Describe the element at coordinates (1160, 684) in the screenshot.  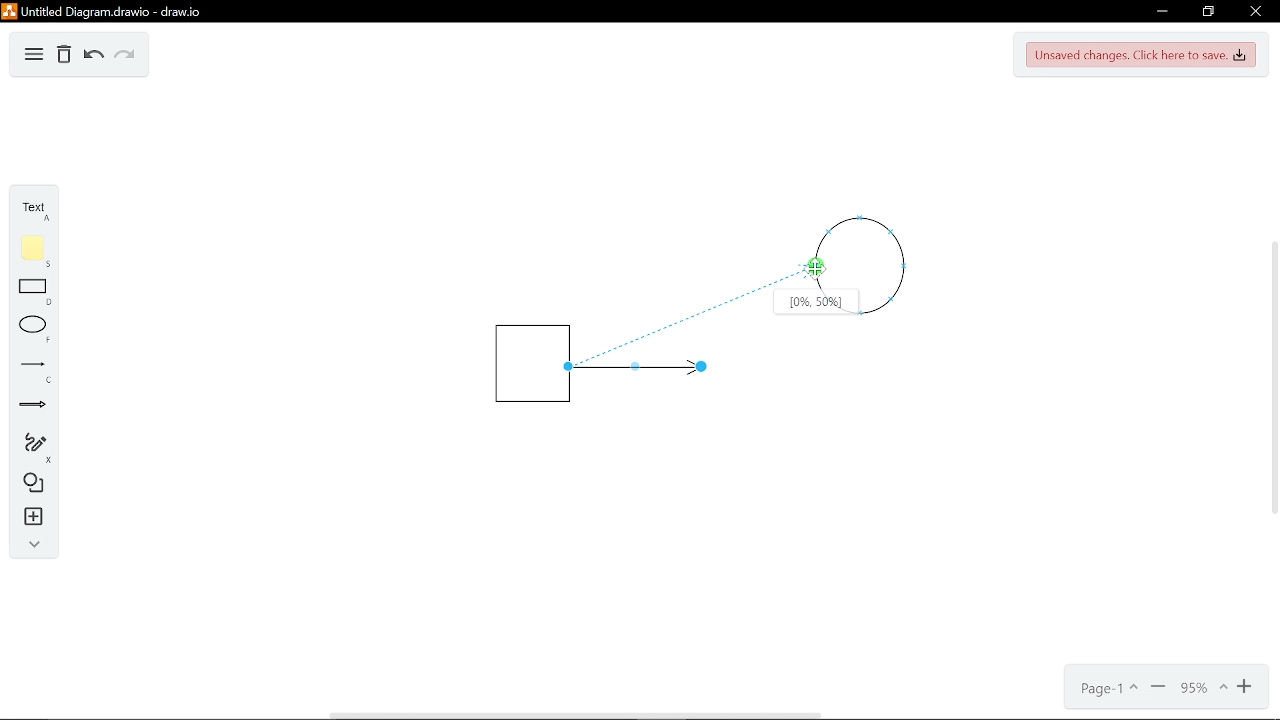
I see `Zoom out` at that location.